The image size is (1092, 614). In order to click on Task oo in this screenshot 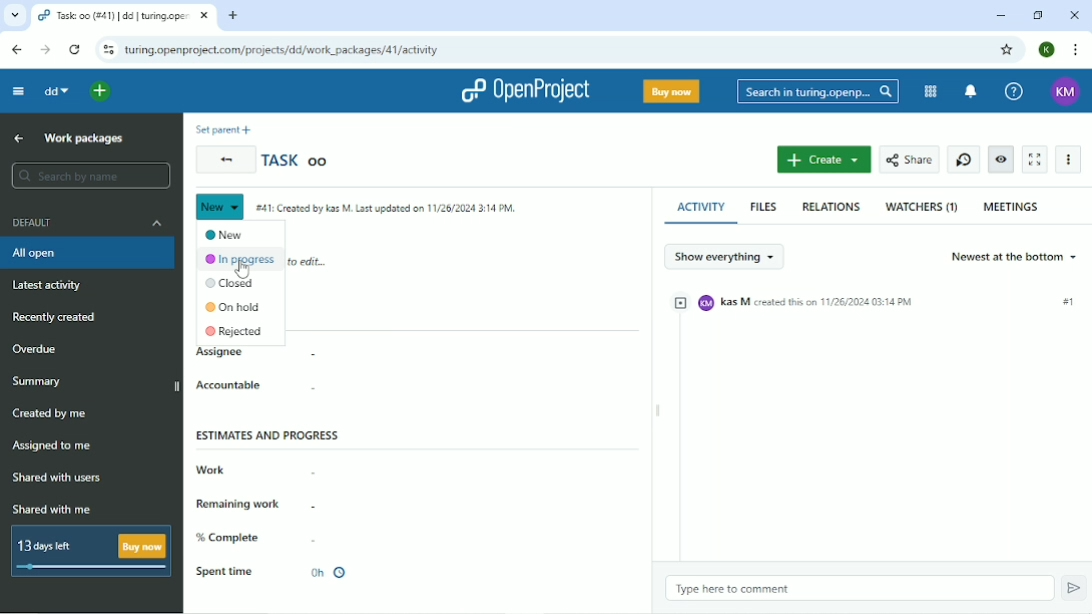, I will do `click(297, 162)`.